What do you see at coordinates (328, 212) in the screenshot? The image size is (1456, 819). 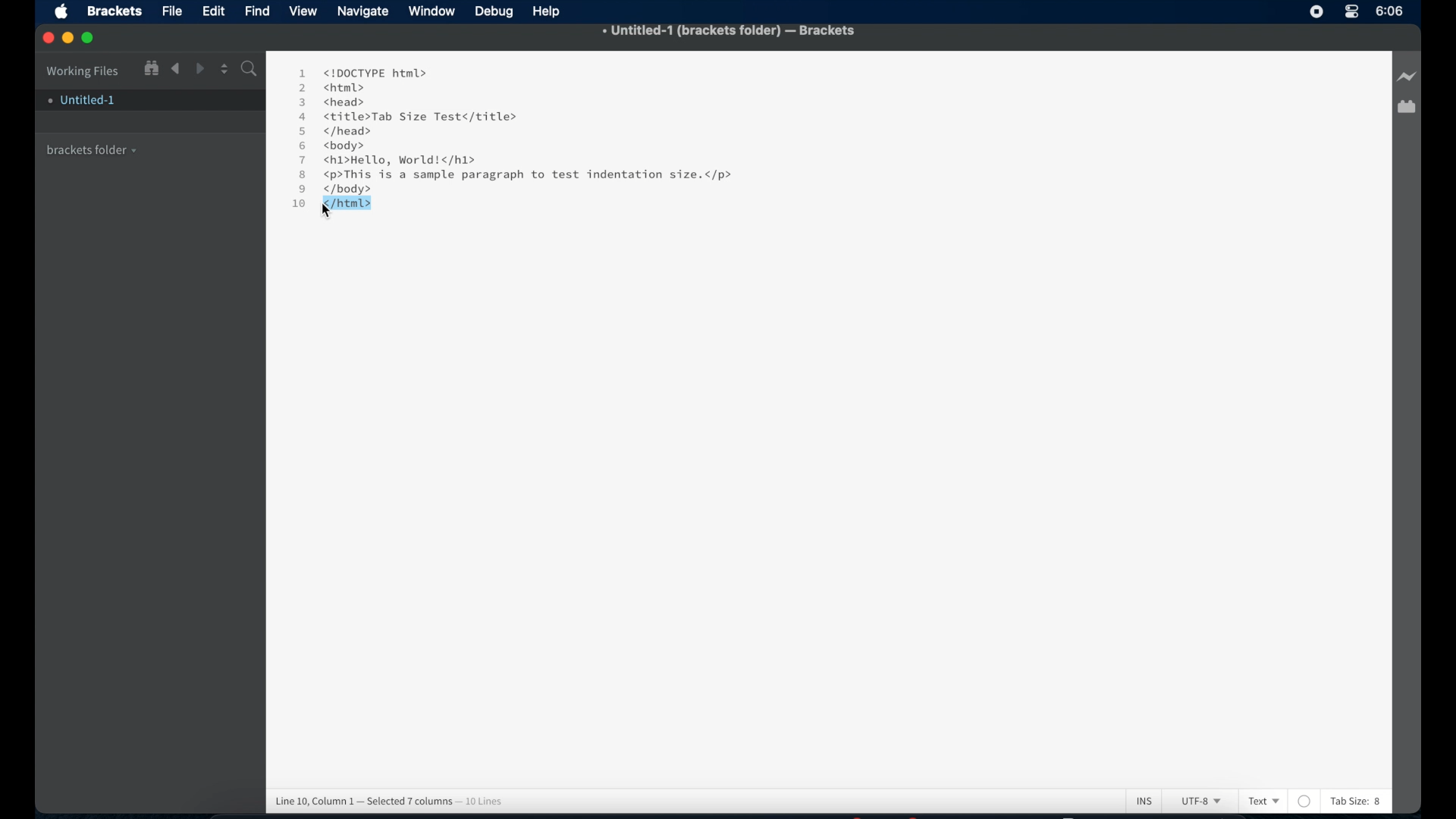 I see `cursor` at bounding box center [328, 212].